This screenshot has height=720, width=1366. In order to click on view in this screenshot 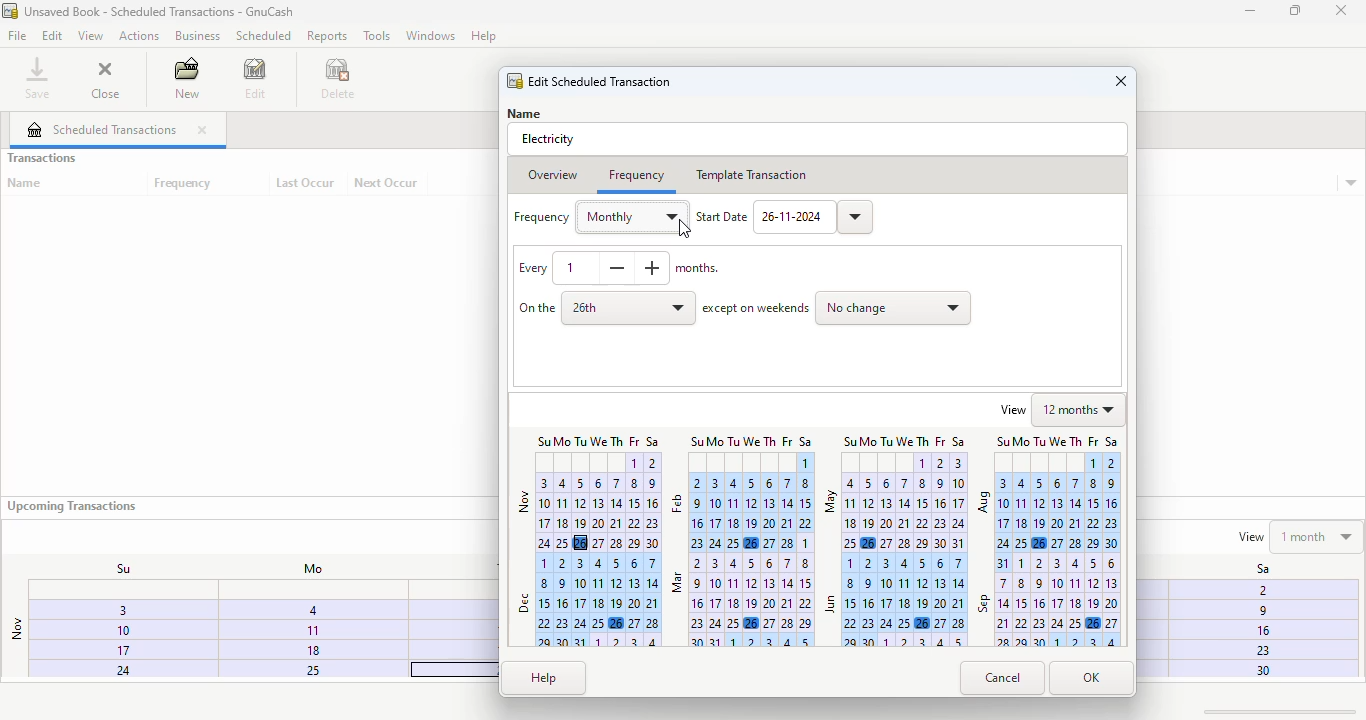, I will do `click(90, 37)`.